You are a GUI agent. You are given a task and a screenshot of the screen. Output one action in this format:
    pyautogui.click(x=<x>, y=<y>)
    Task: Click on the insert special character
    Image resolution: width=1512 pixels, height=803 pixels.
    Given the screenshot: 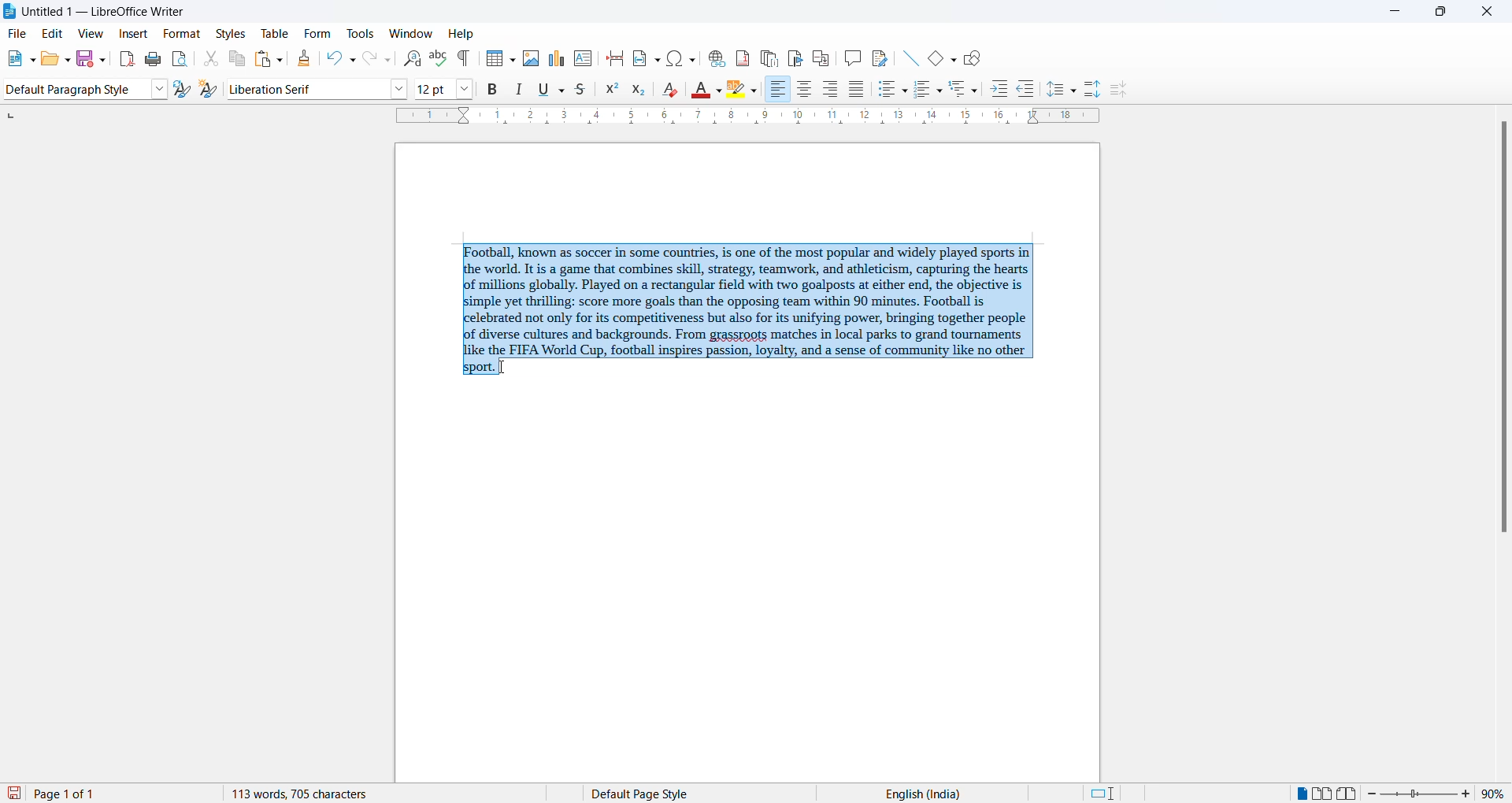 What is the action you would take?
    pyautogui.click(x=680, y=60)
    